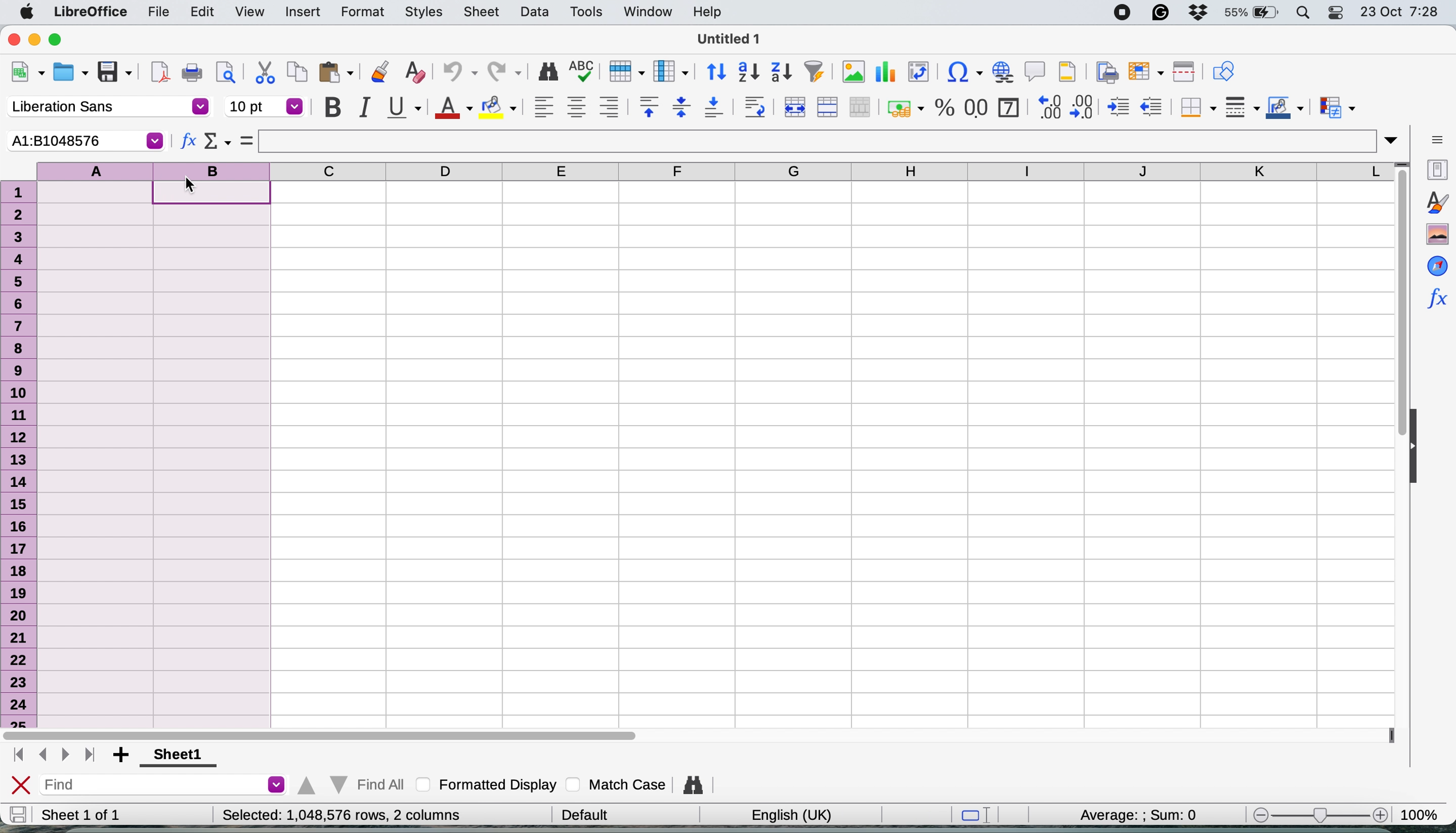 The height and width of the screenshot is (833, 1456). What do you see at coordinates (795, 108) in the screenshot?
I see `merge and center or unmerge` at bounding box center [795, 108].